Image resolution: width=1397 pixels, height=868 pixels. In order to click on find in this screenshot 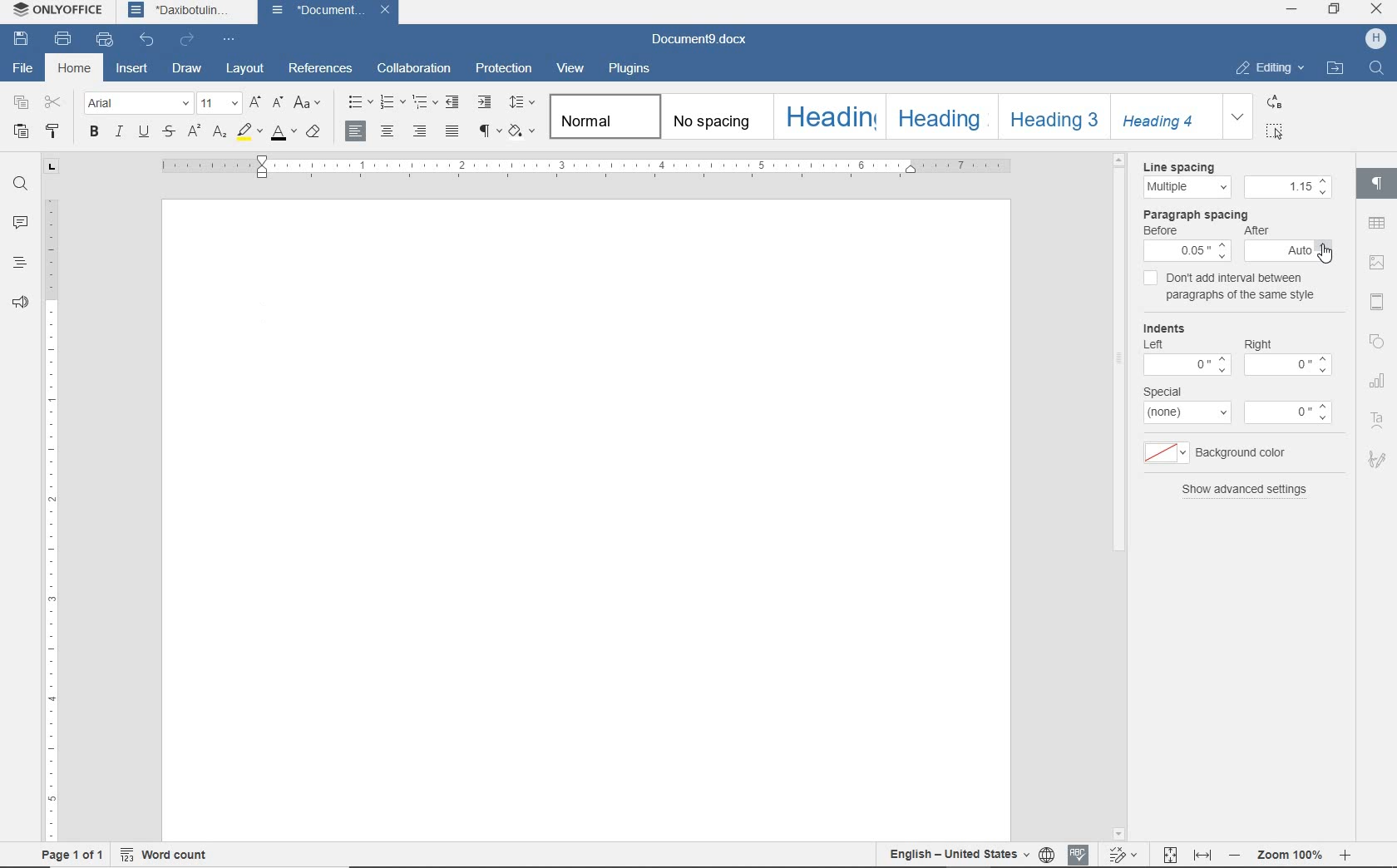, I will do `click(20, 185)`.